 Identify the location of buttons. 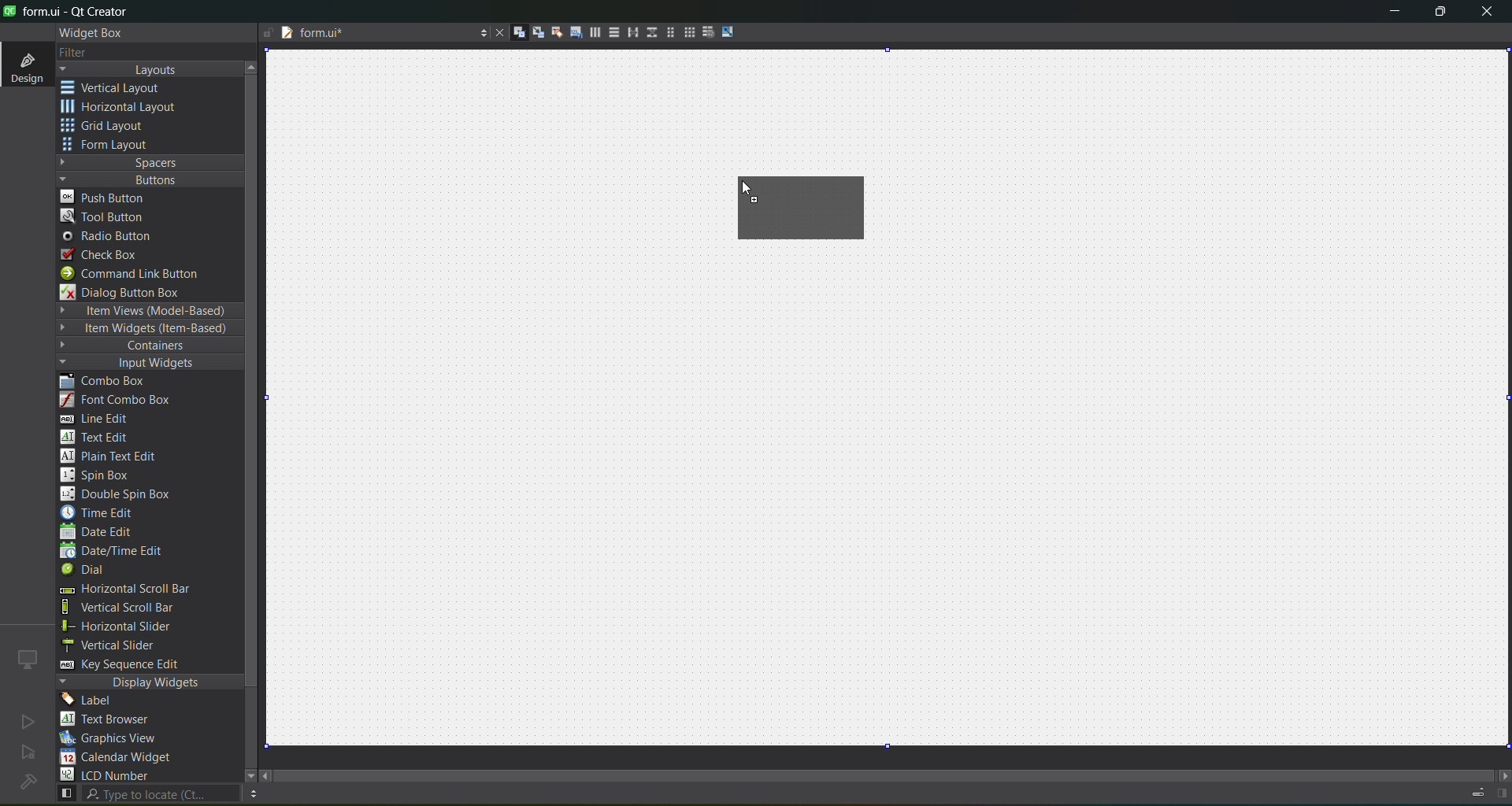
(146, 179).